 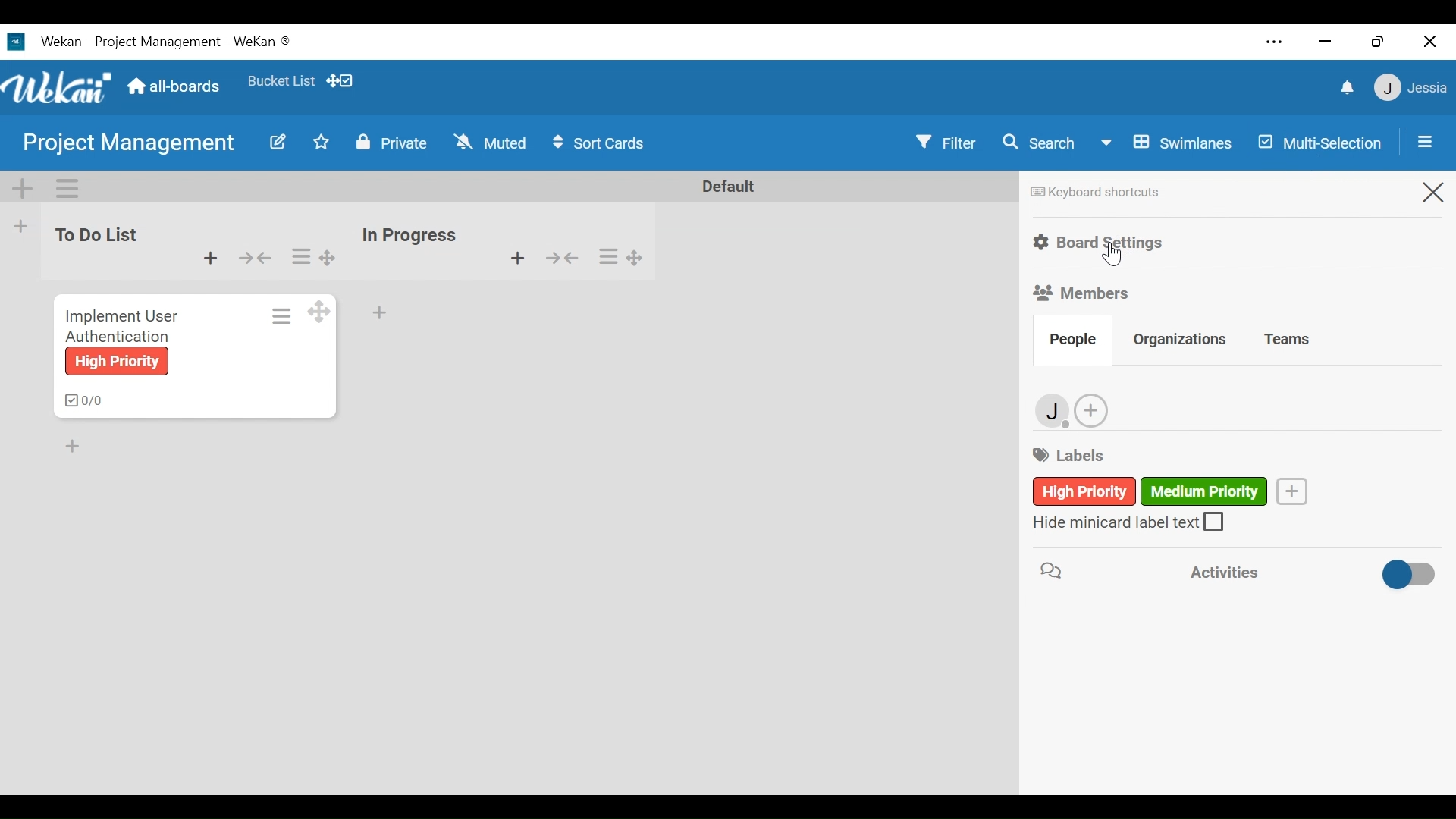 I want to click on People, so click(x=1075, y=342).